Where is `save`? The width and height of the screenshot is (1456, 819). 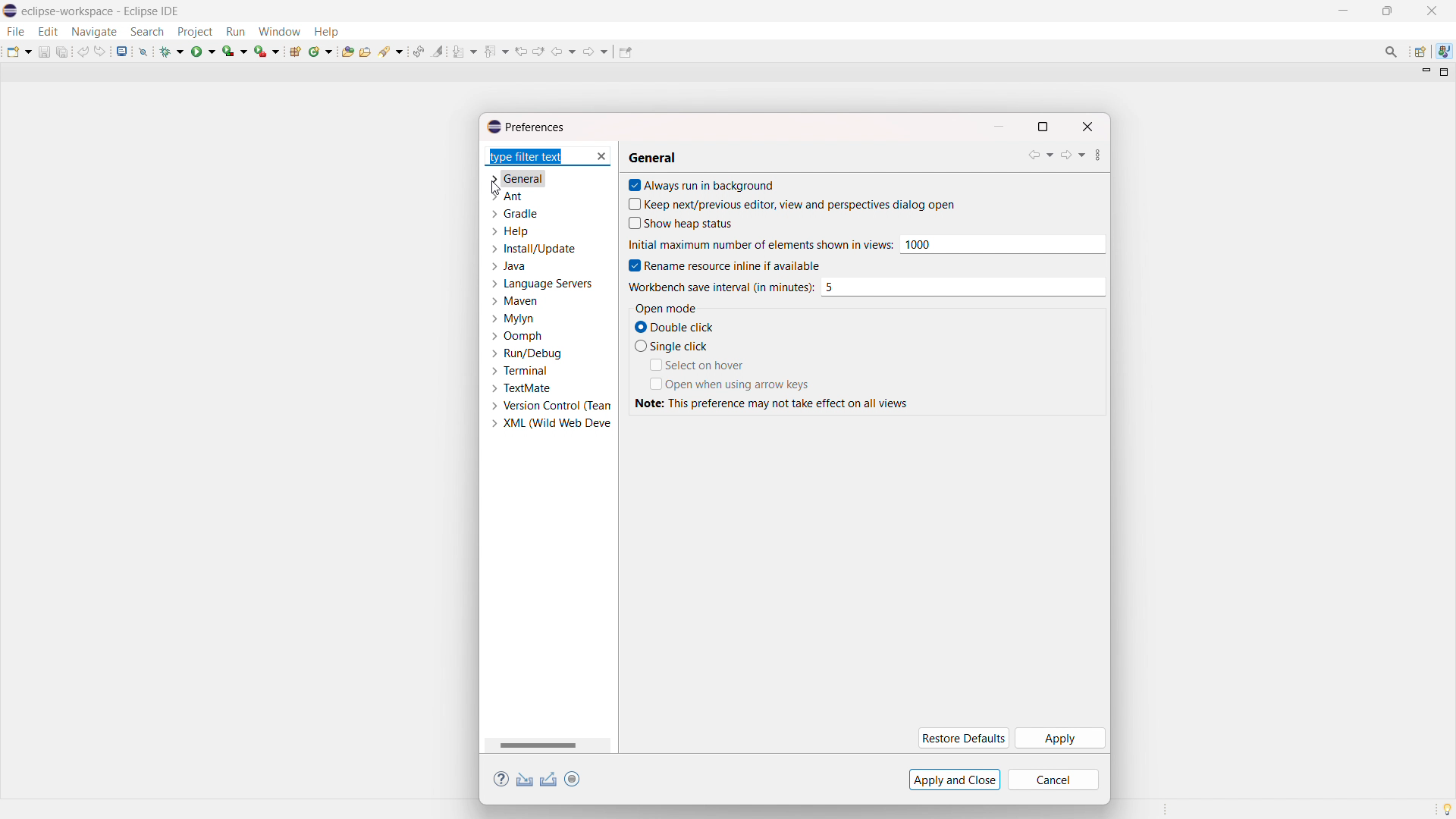
save is located at coordinates (44, 52).